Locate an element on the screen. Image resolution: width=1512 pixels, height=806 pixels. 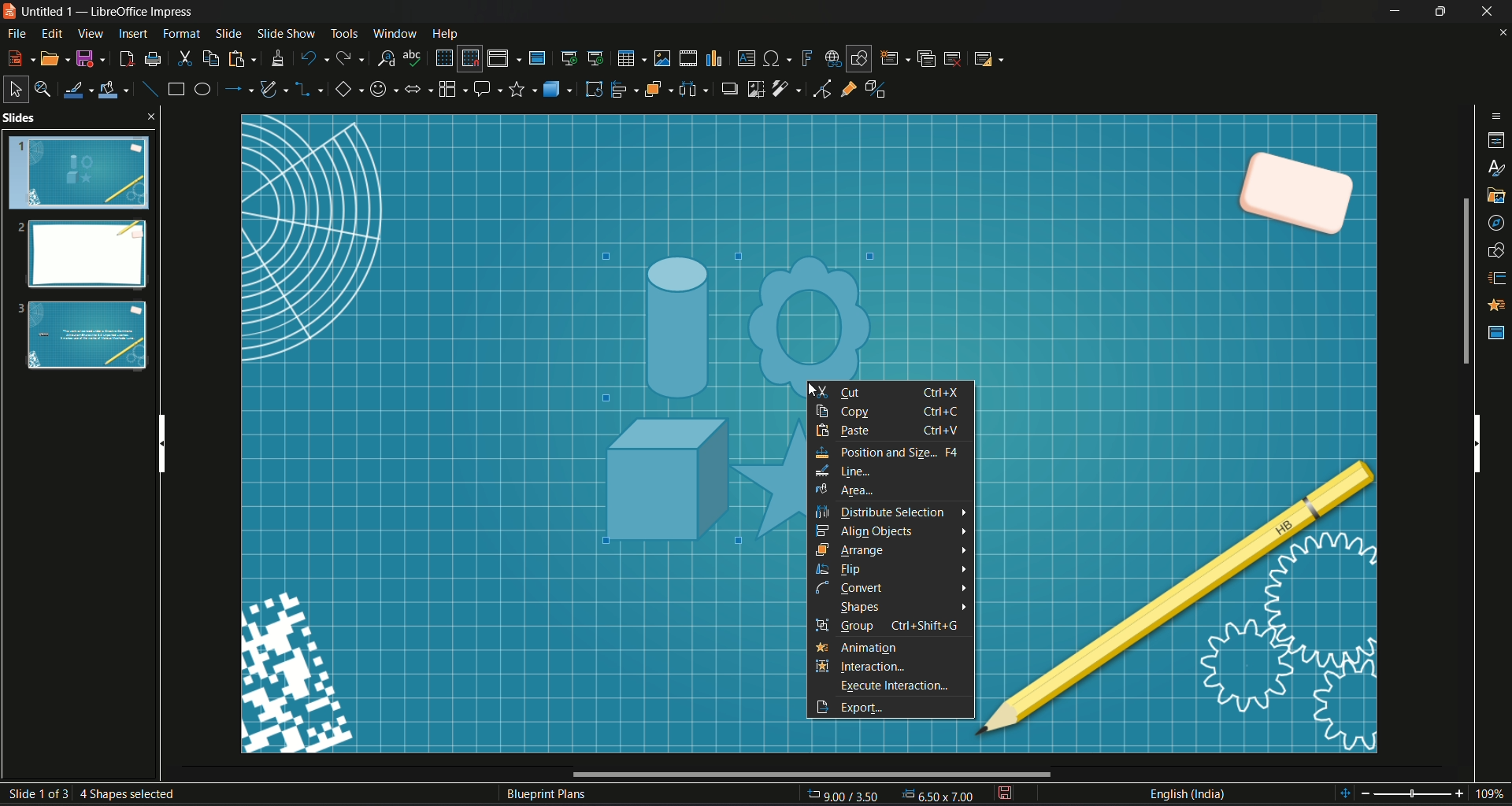
arrange is located at coordinates (854, 550).